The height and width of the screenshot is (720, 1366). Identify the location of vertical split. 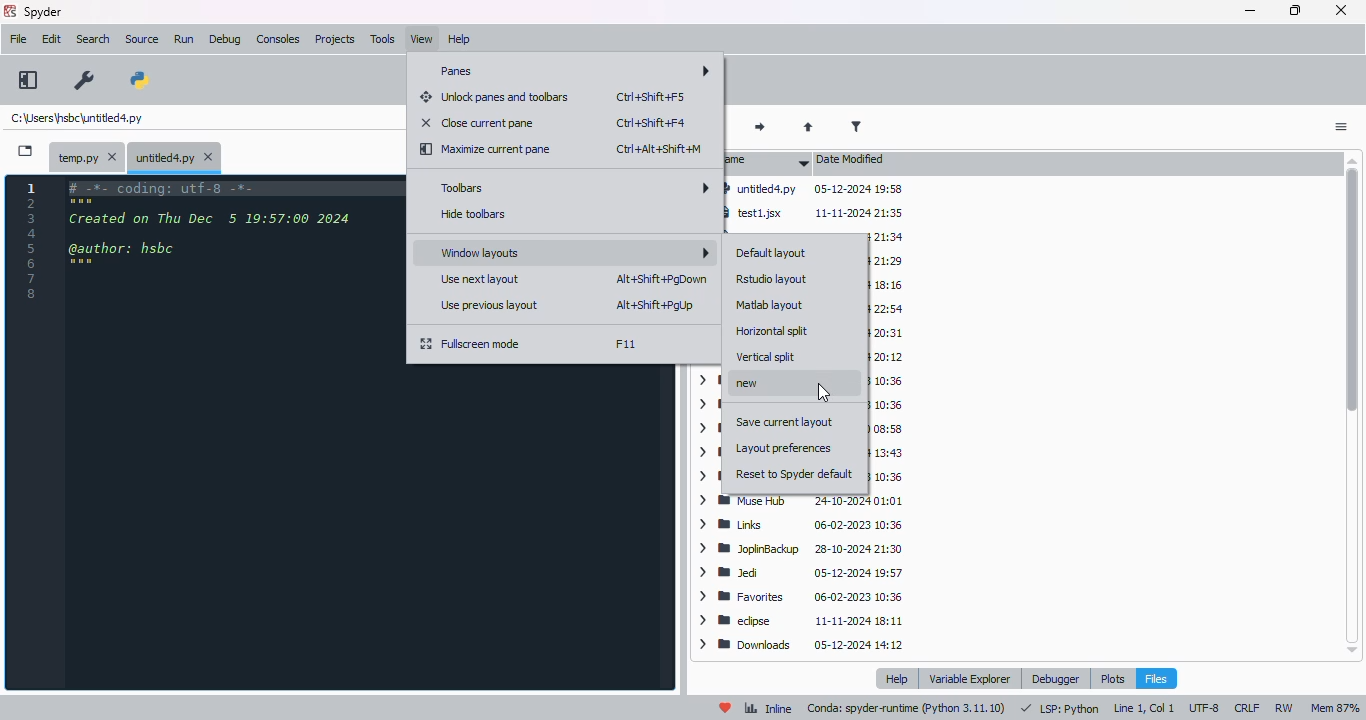
(766, 356).